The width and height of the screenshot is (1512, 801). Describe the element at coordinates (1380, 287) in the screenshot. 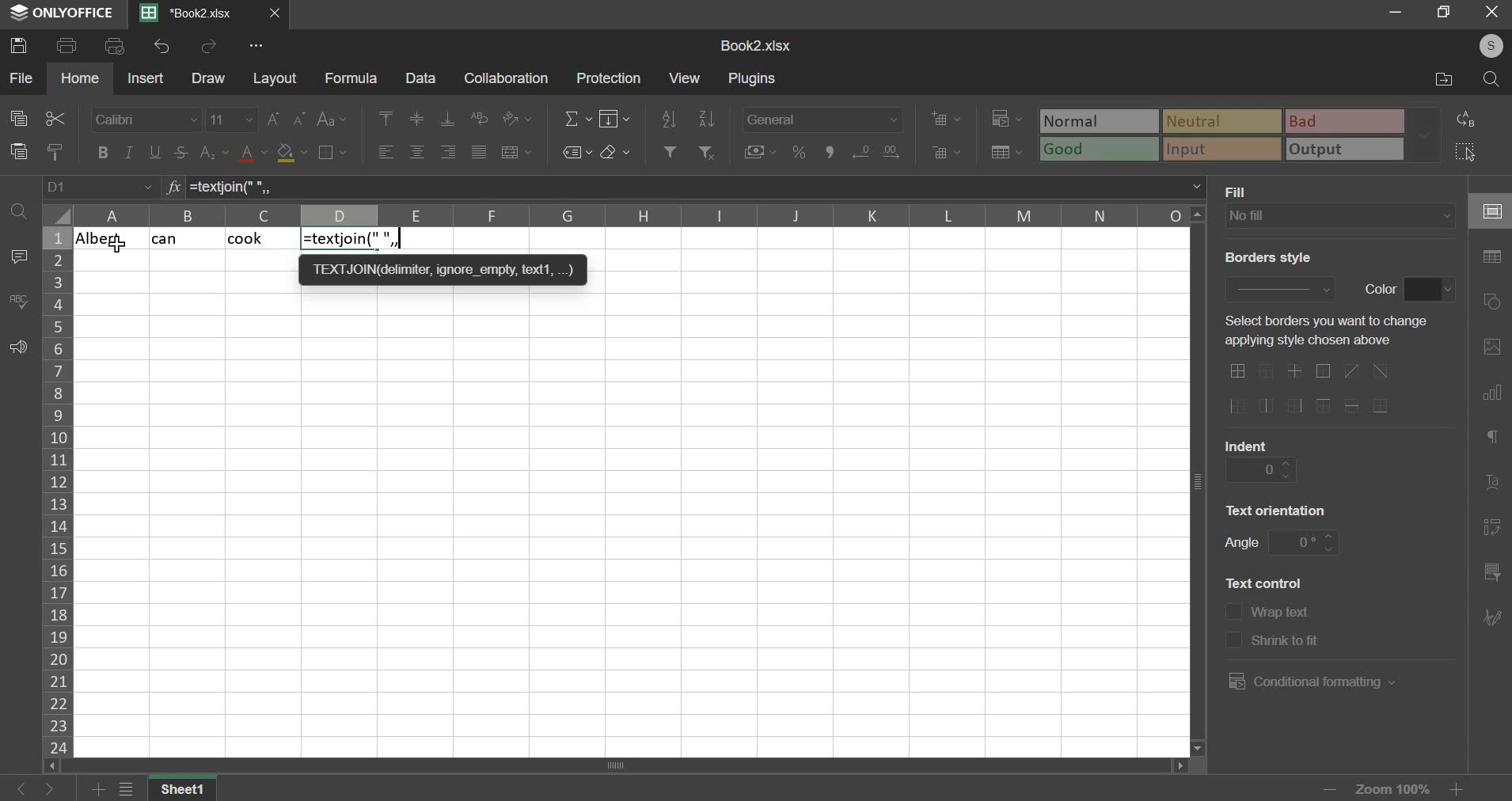

I see `text` at that location.